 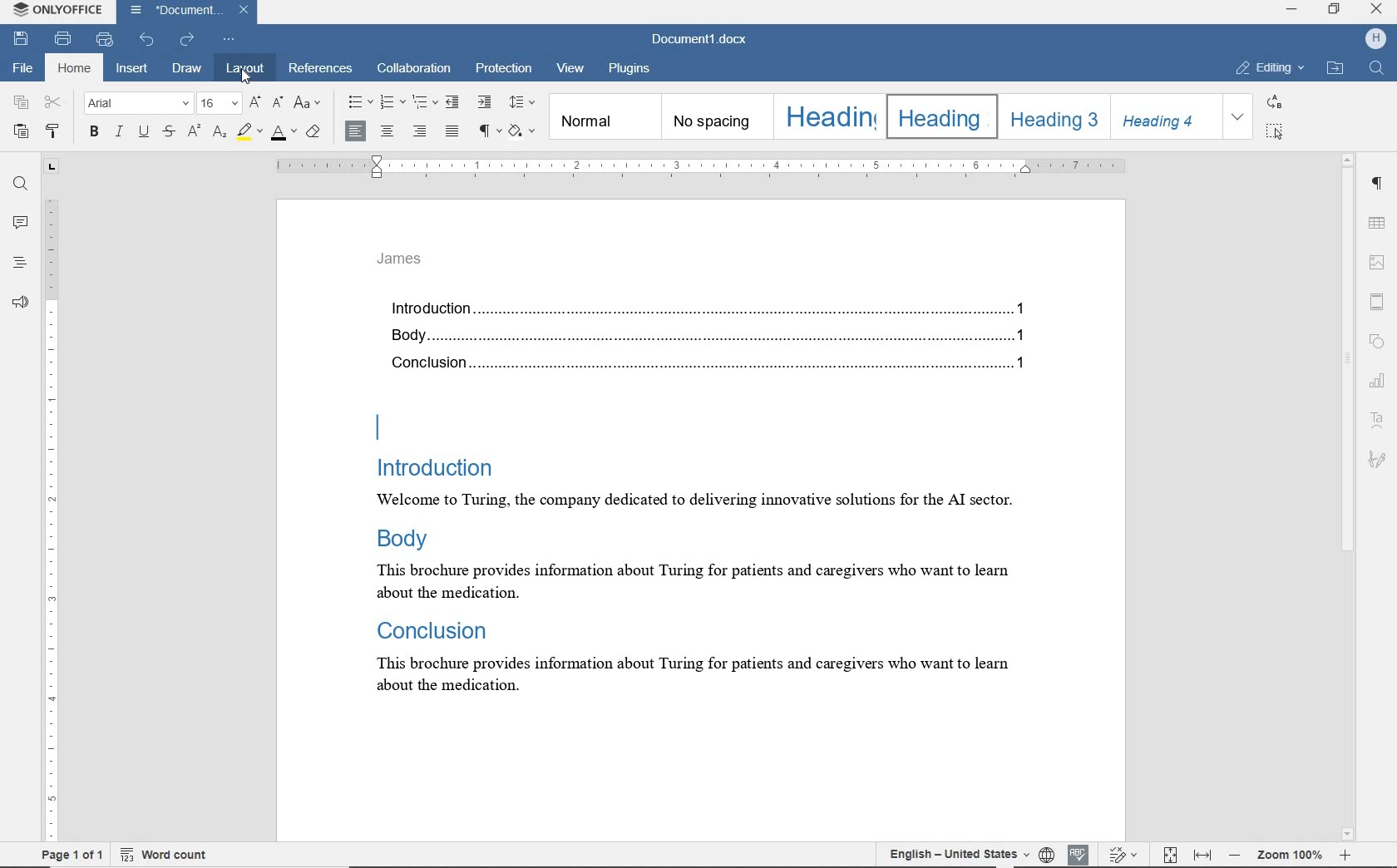 I want to click on scrollbar, so click(x=1348, y=497).